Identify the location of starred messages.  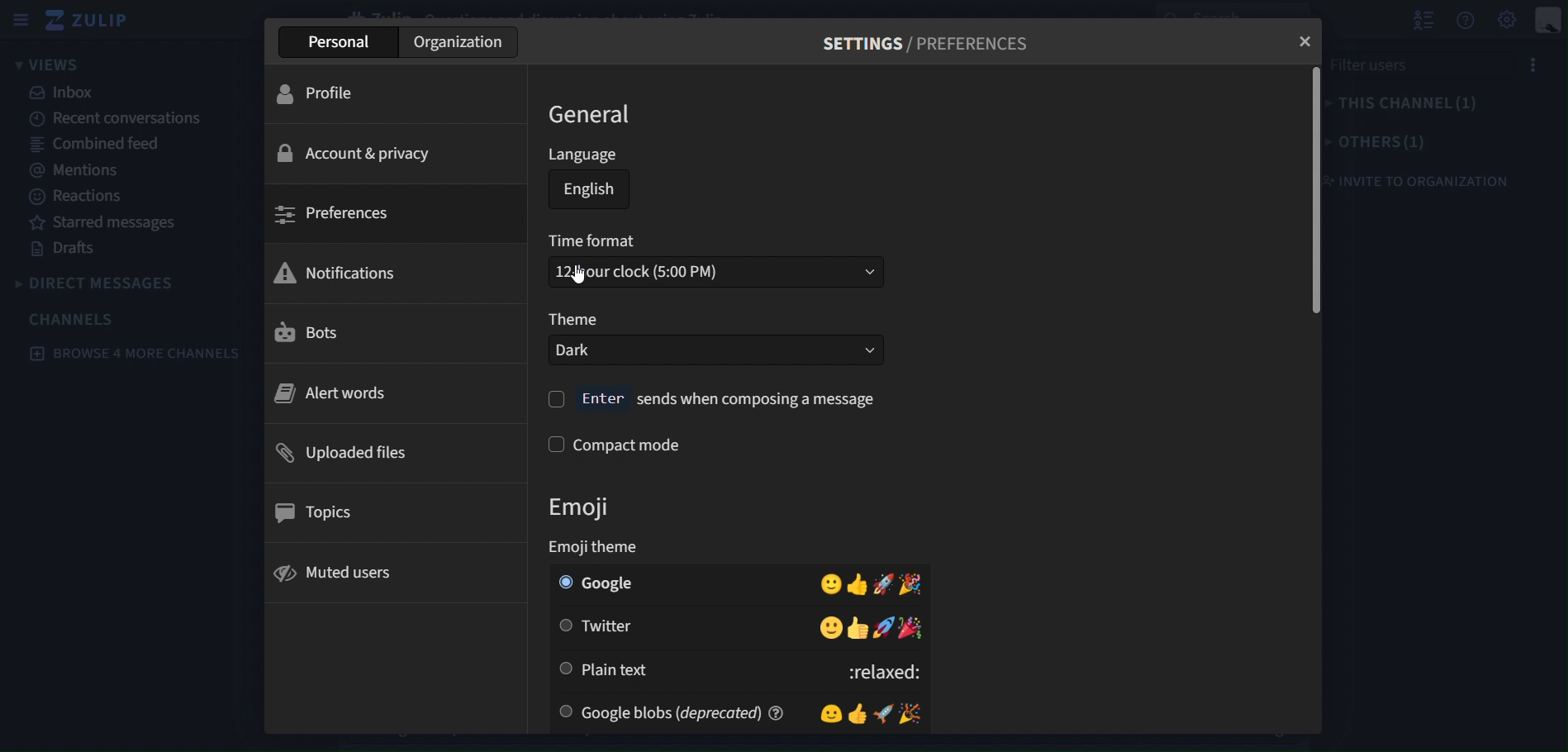
(111, 224).